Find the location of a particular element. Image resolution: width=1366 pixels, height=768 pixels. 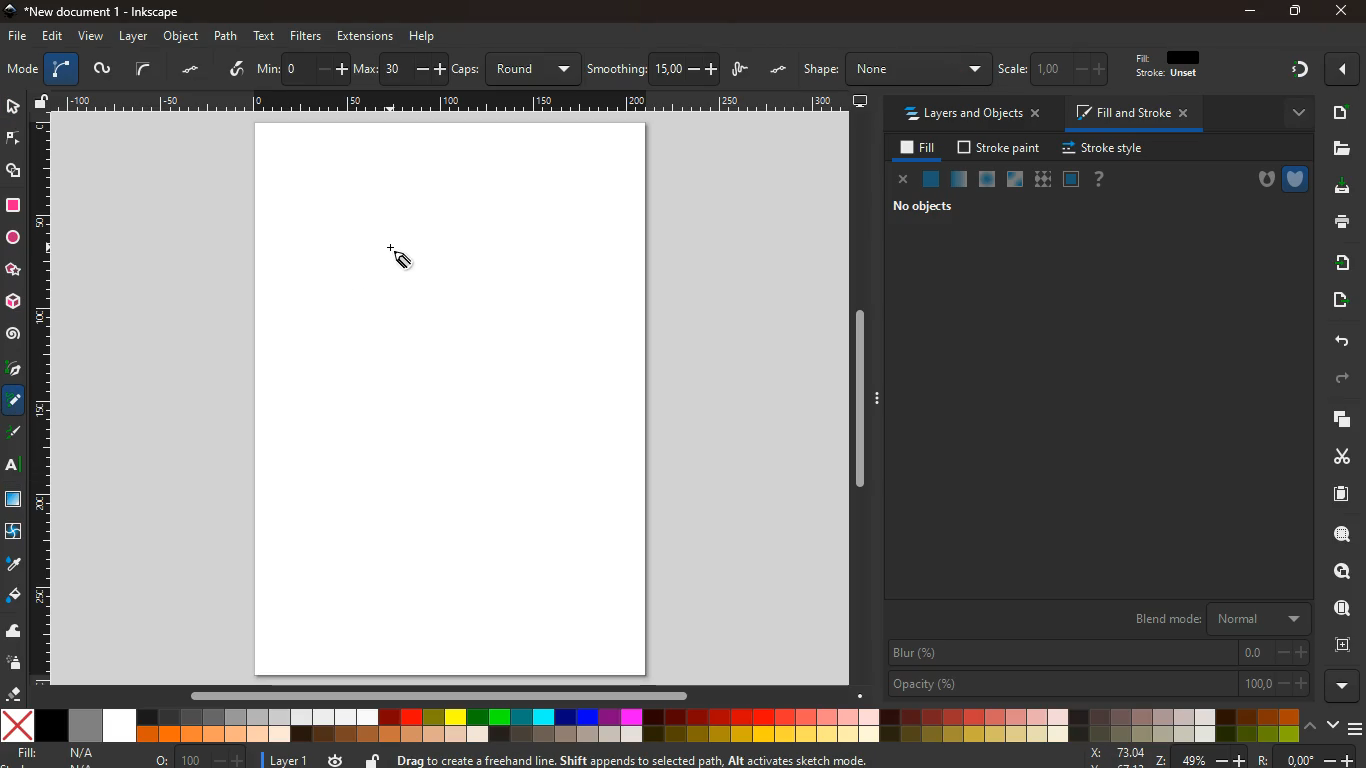

Scale is located at coordinates (41, 399).